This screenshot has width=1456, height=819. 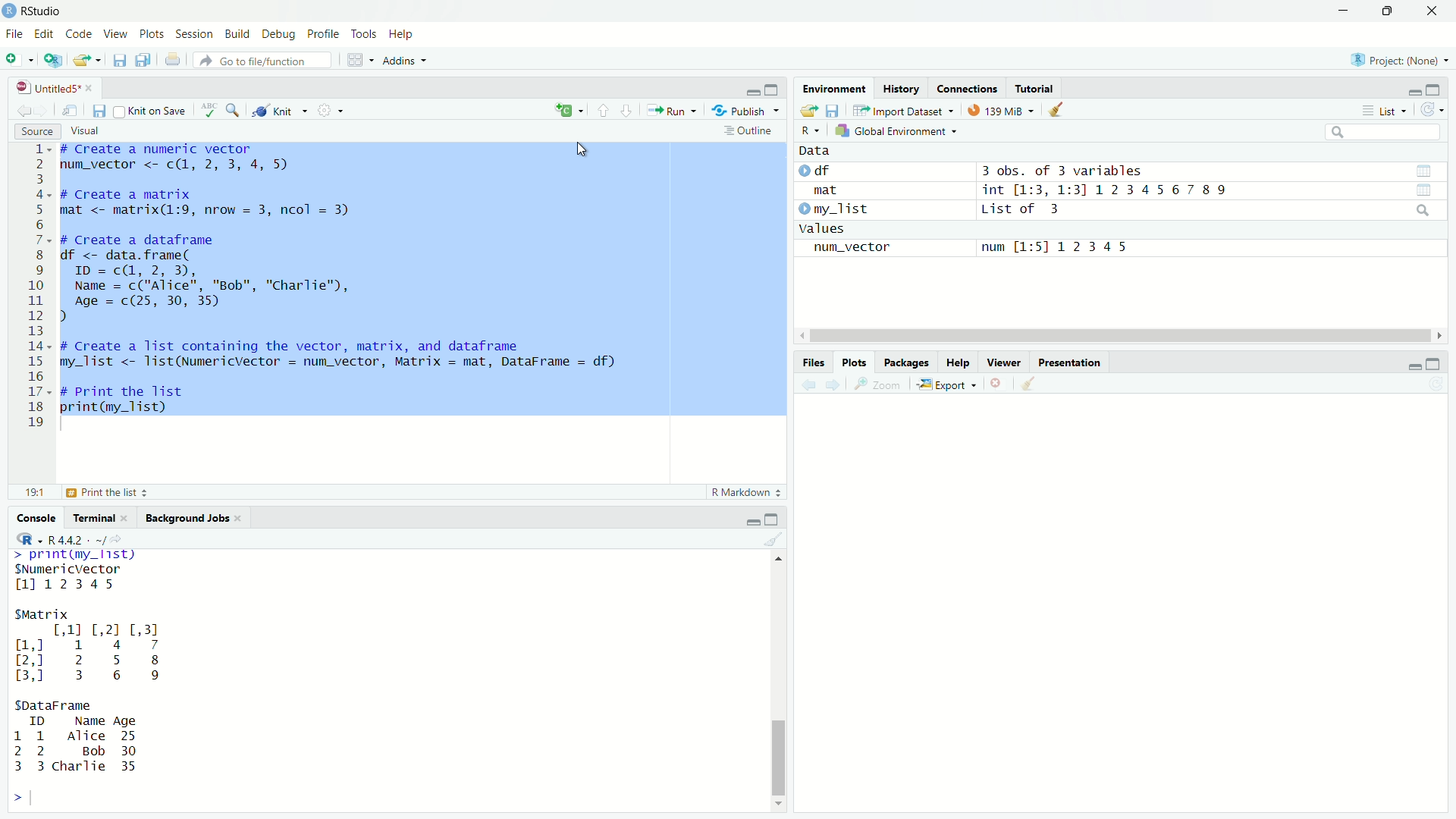 What do you see at coordinates (322, 33) in the screenshot?
I see `Profile` at bounding box center [322, 33].